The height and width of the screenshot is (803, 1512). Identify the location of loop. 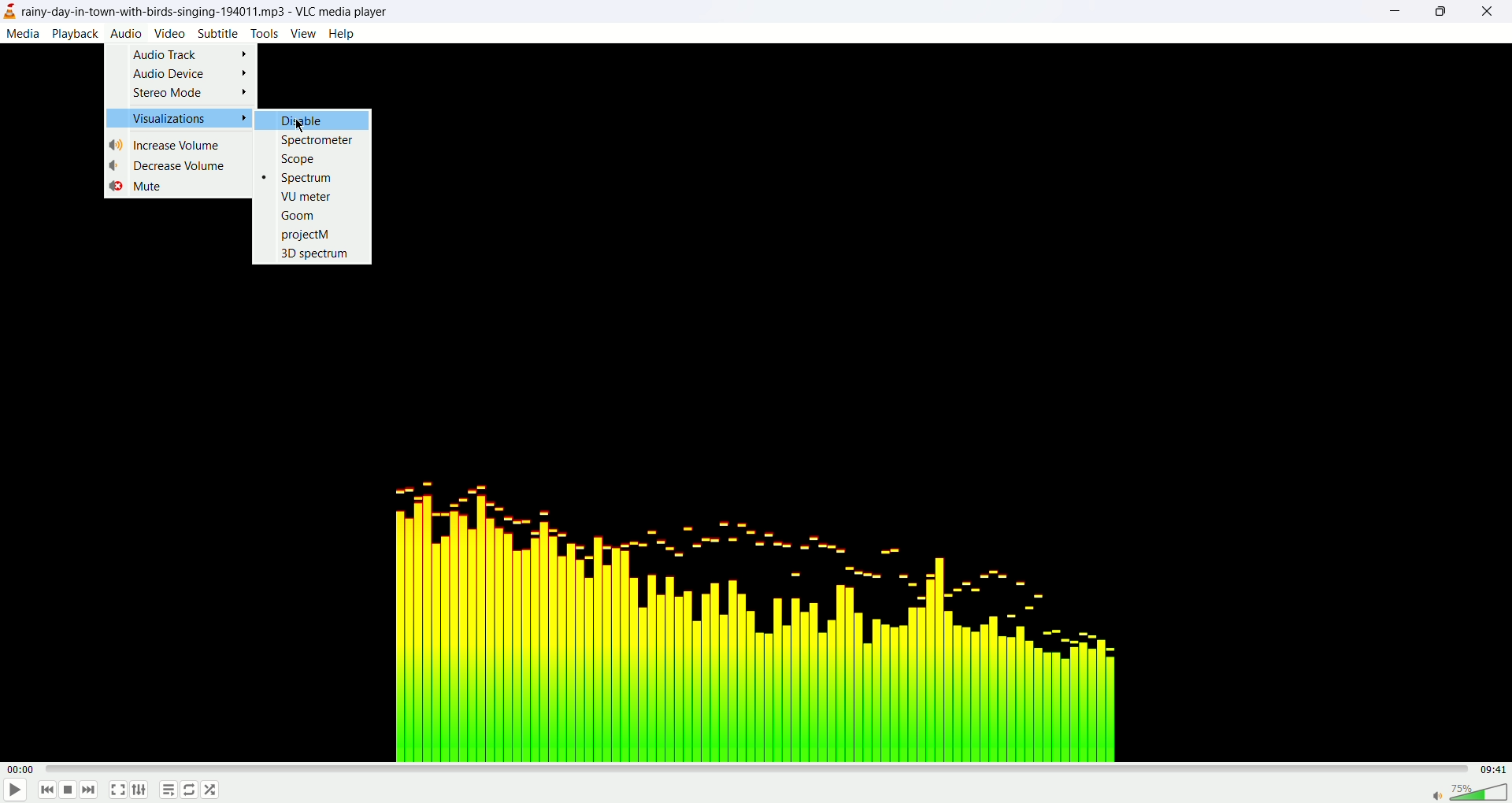
(190, 790).